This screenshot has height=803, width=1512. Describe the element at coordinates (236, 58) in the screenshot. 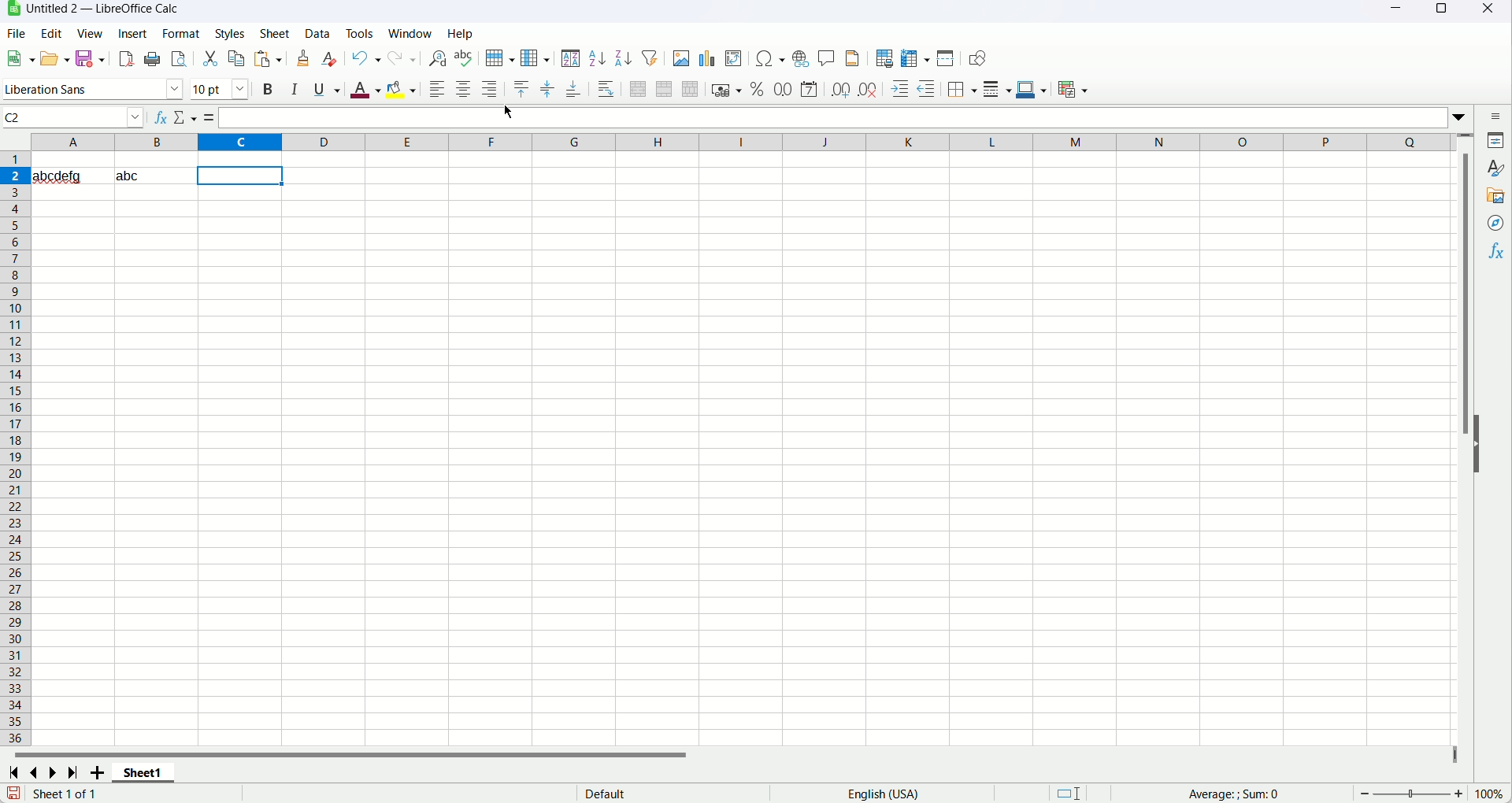

I see `copy` at that location.